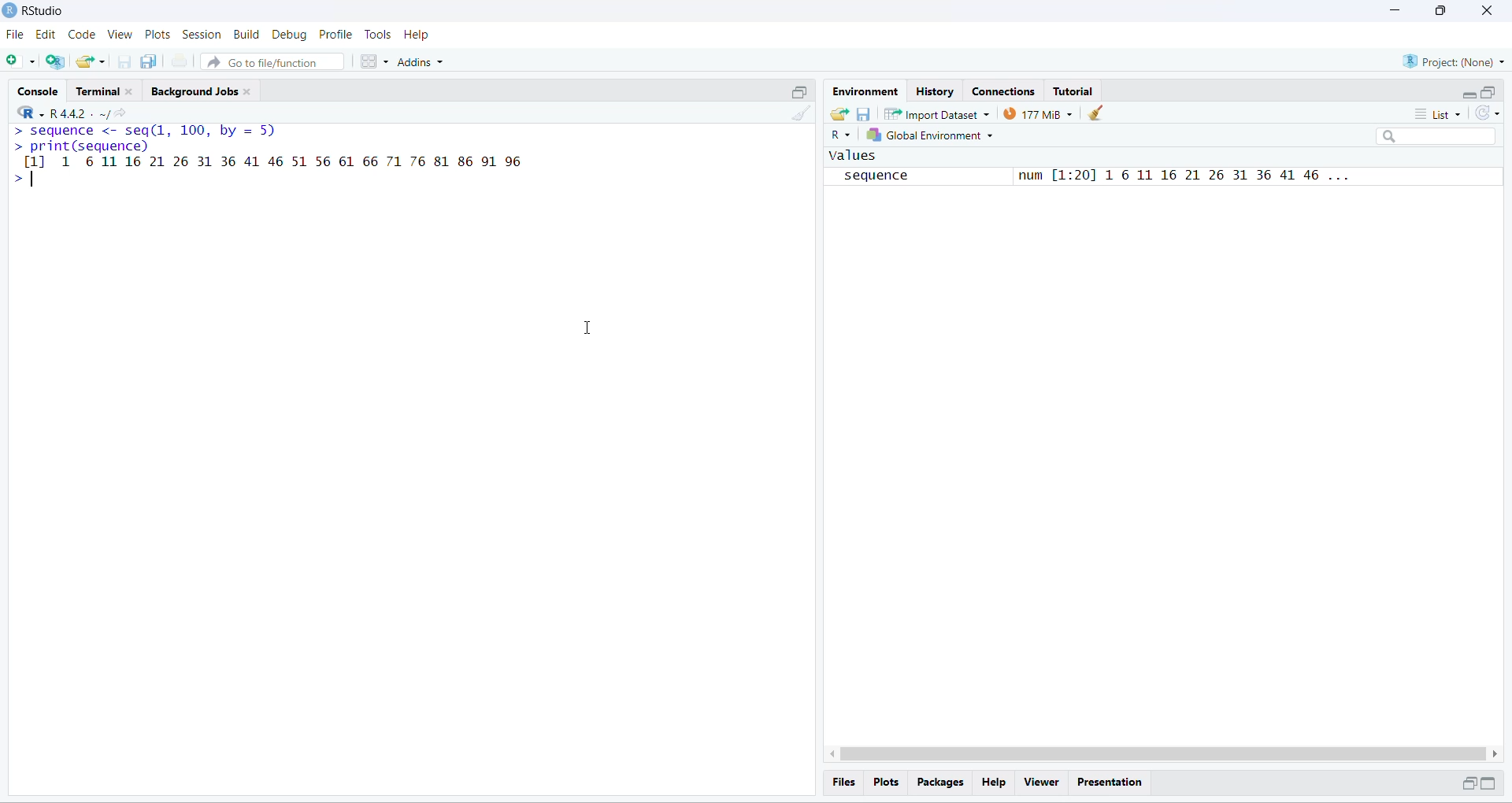  What do you see at coordinates (840, 135) in the screenshot?
I see `R` at bounding box center [840, 135].